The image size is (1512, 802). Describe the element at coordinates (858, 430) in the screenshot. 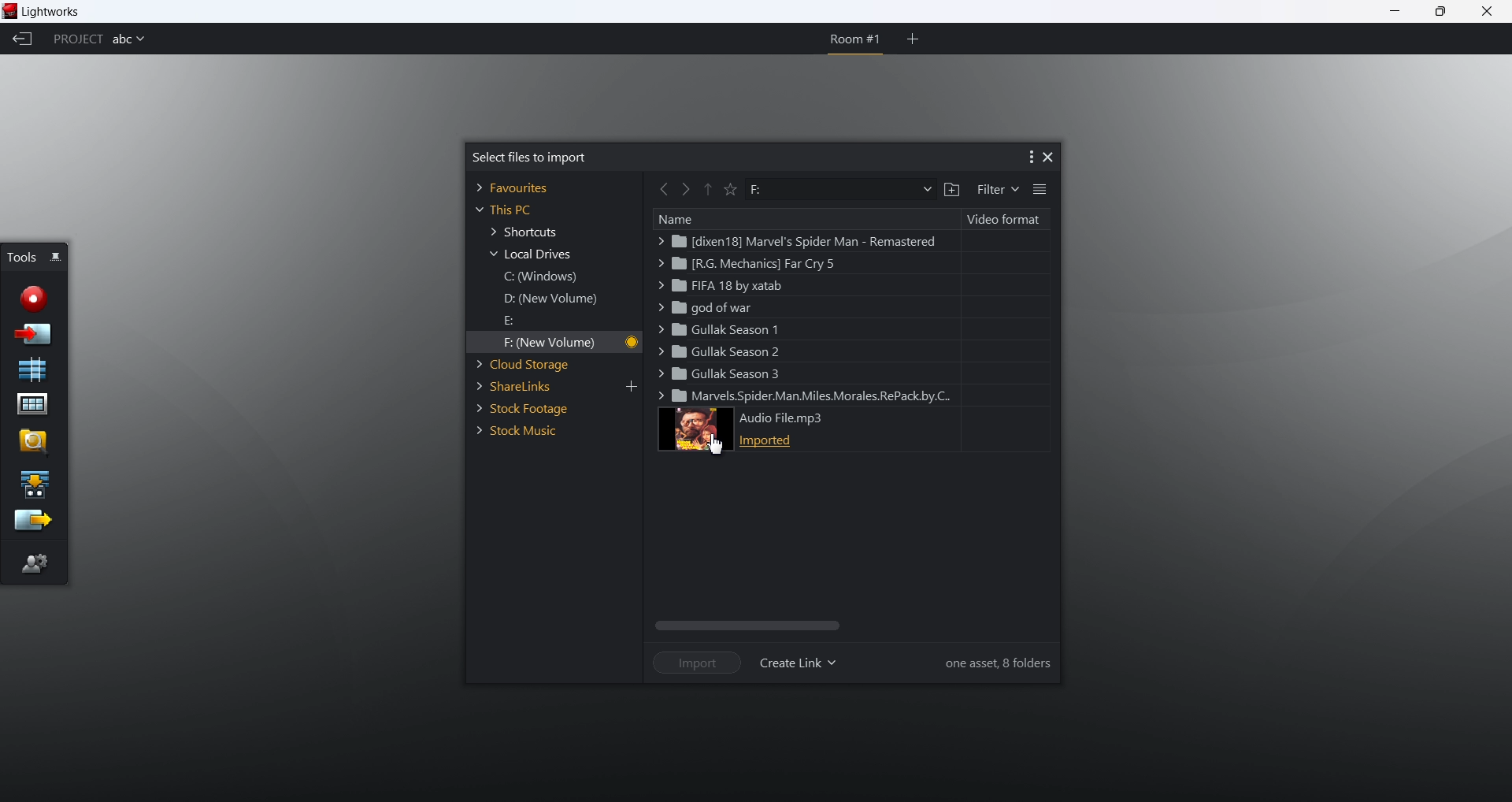

I see `audio file` at that location.